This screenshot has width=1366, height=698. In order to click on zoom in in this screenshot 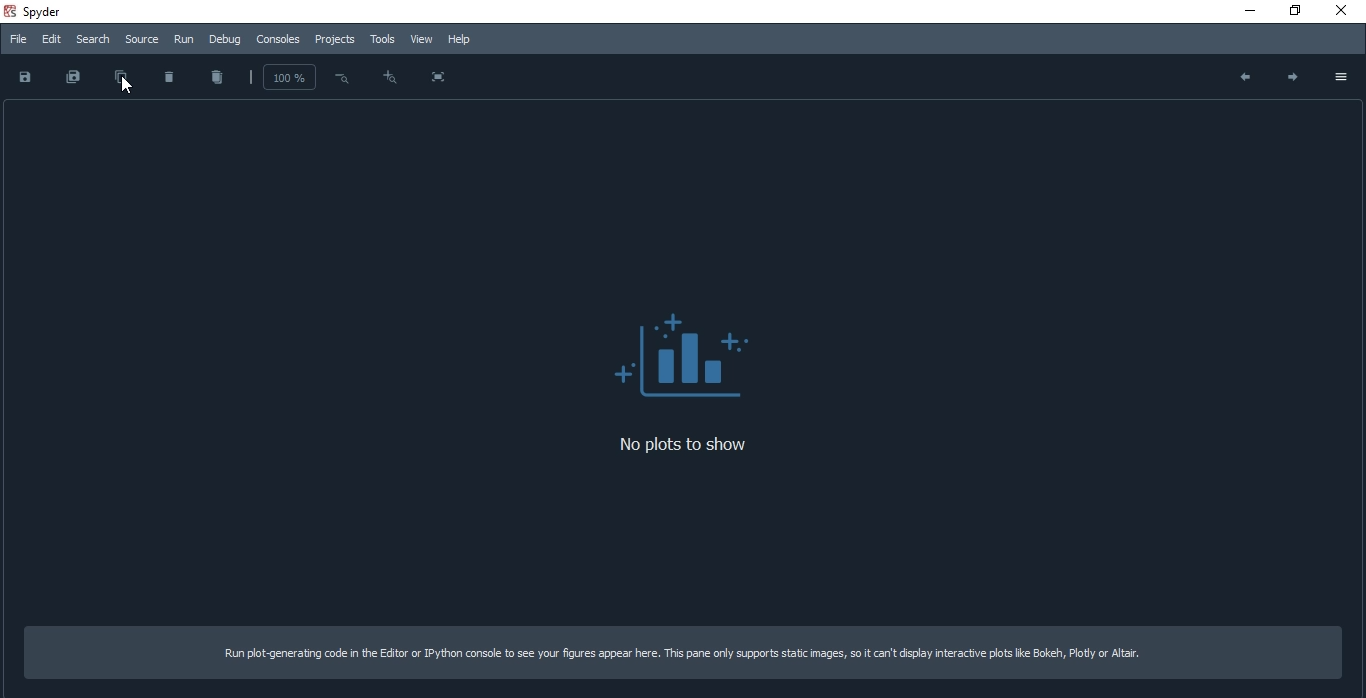, I will do `click(388, 77)`.